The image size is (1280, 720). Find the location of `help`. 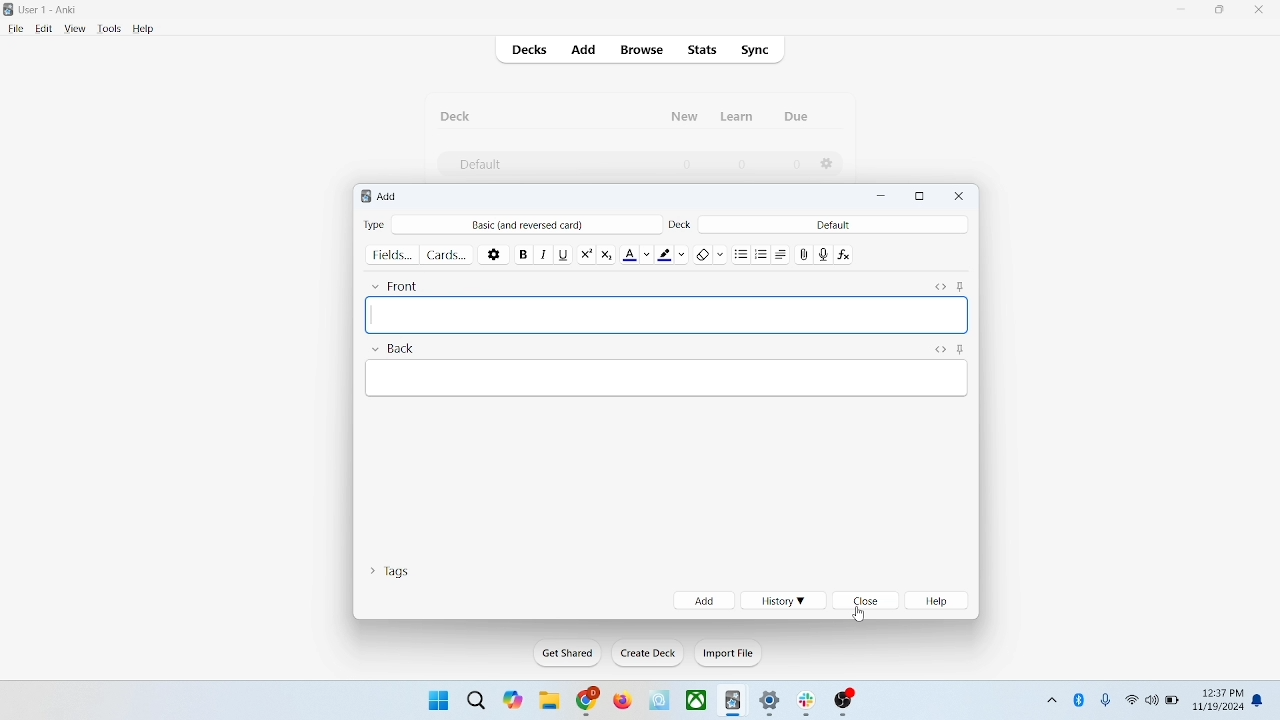

help is located at coordinates (144, 30).